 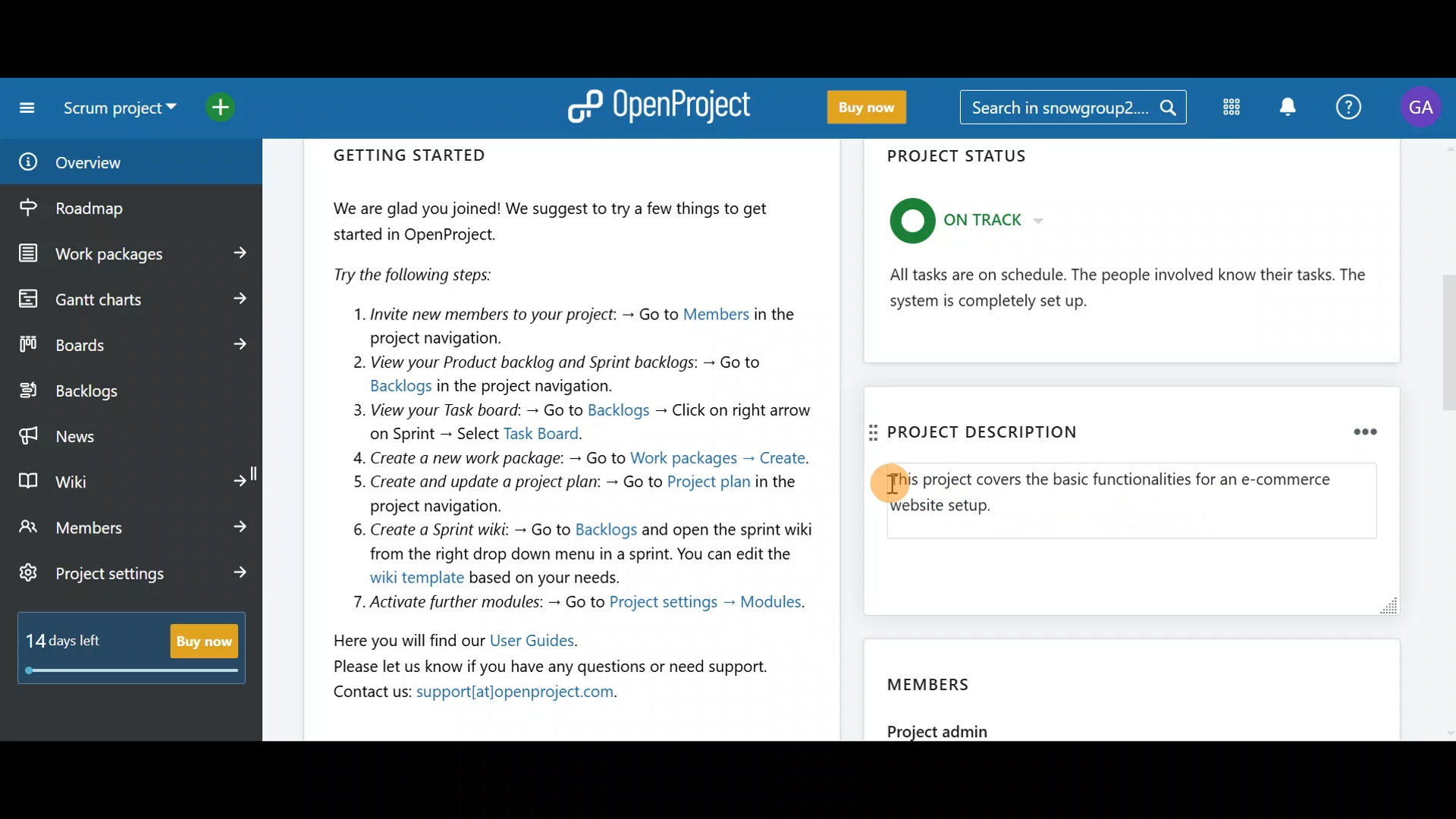 I want to click on project description, so click(x=974, y=432).